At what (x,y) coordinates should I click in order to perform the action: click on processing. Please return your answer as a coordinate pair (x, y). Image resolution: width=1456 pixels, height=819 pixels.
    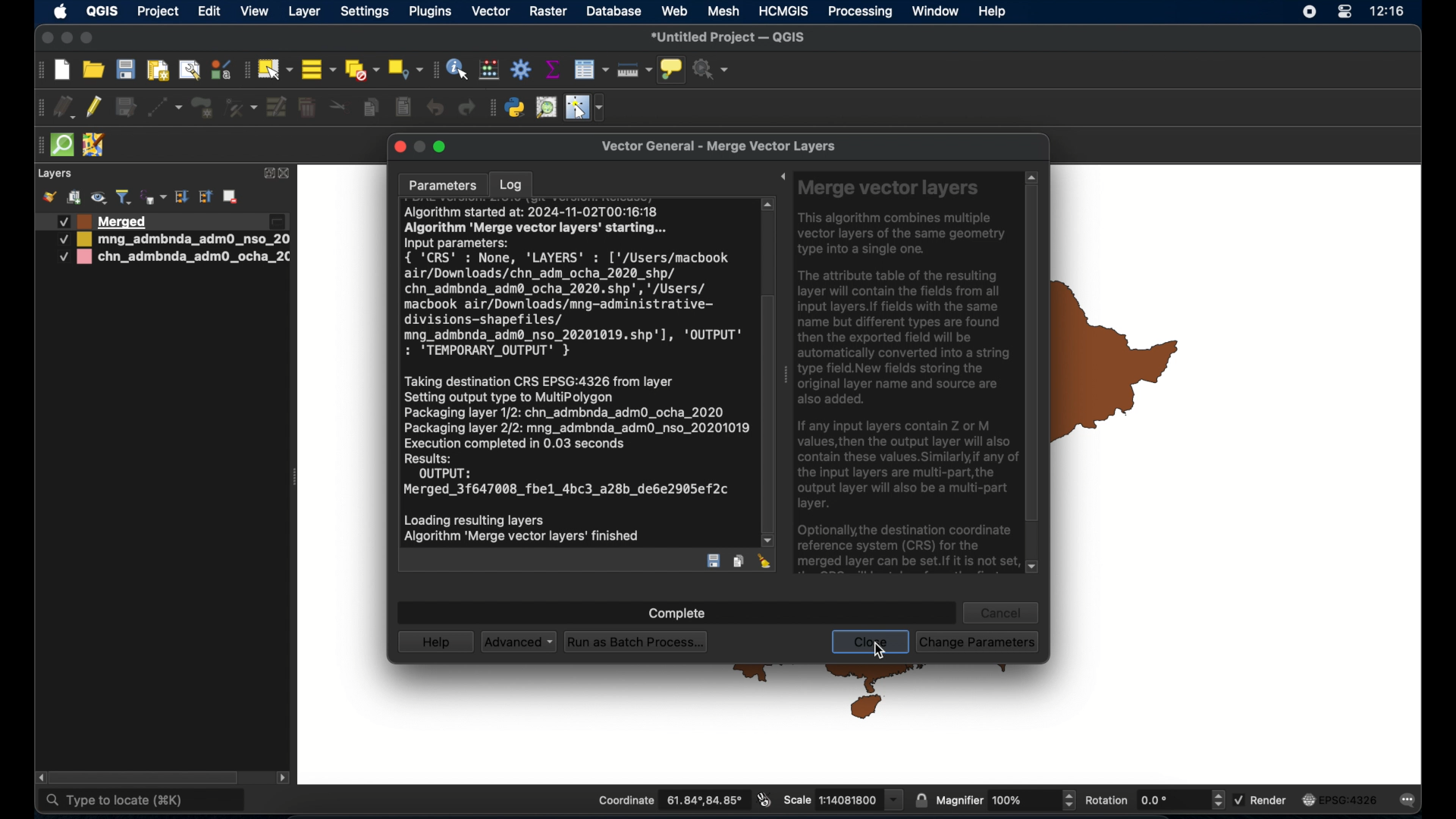
    Looking at the image, I should click on (861, 13).